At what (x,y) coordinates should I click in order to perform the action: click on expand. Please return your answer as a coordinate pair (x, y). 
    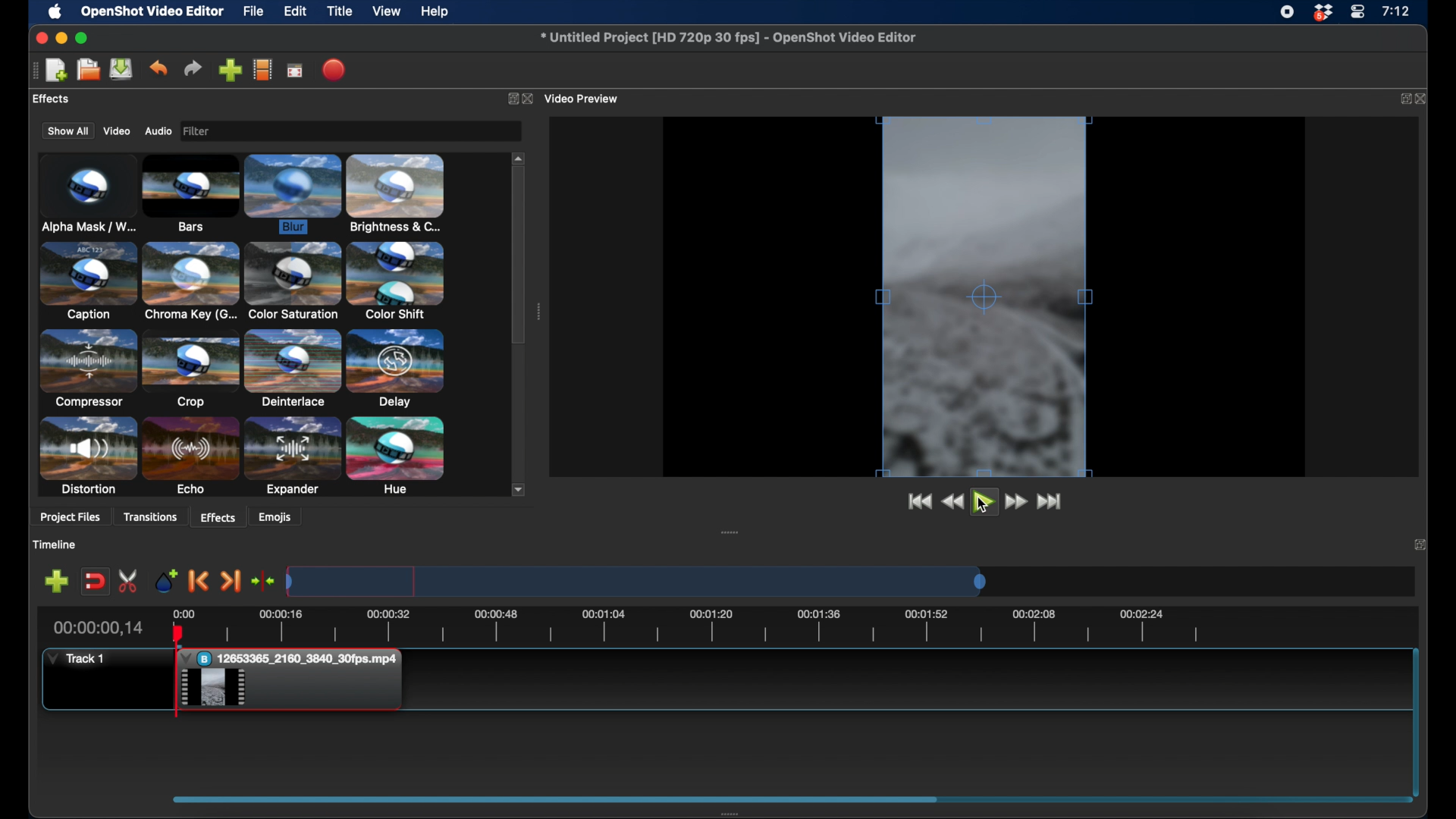
    Looking at the image, I should click on (1420, 544).